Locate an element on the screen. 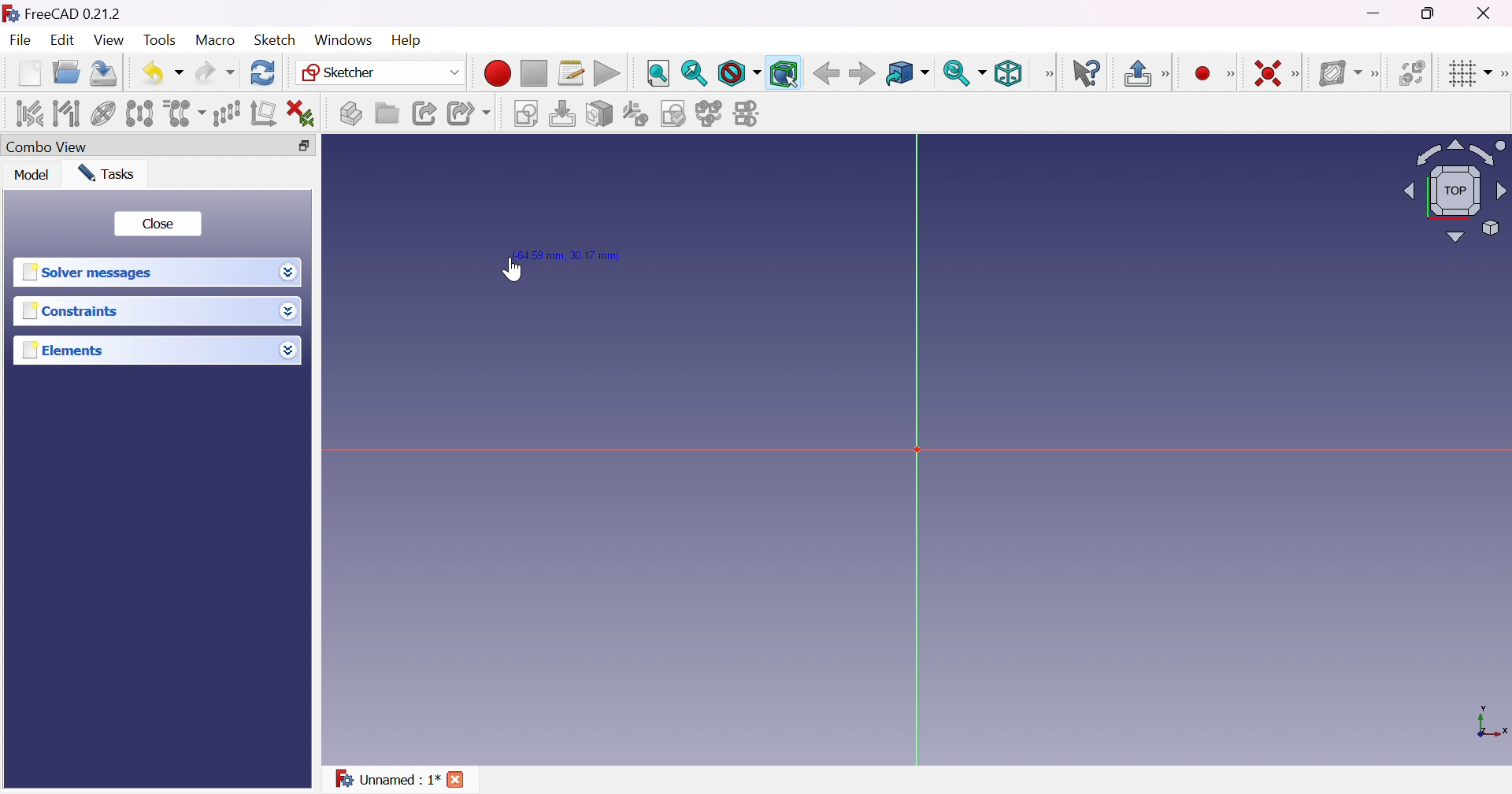 This screenshot has width=1512, height=794. [Sketcher geometrics] is located at coordinates (1231, 72).